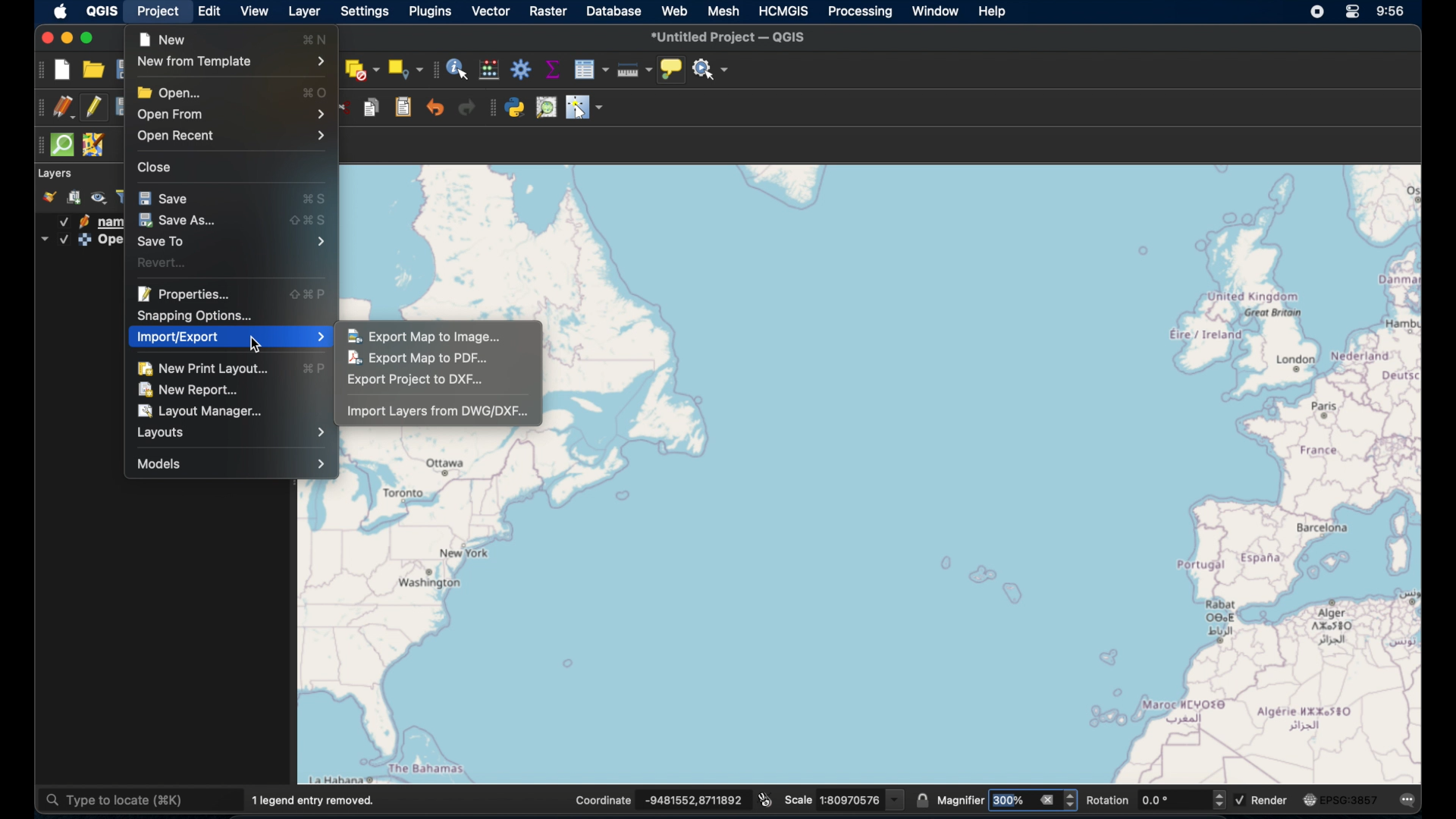  I want to click on toolbox, so click(521, 69).